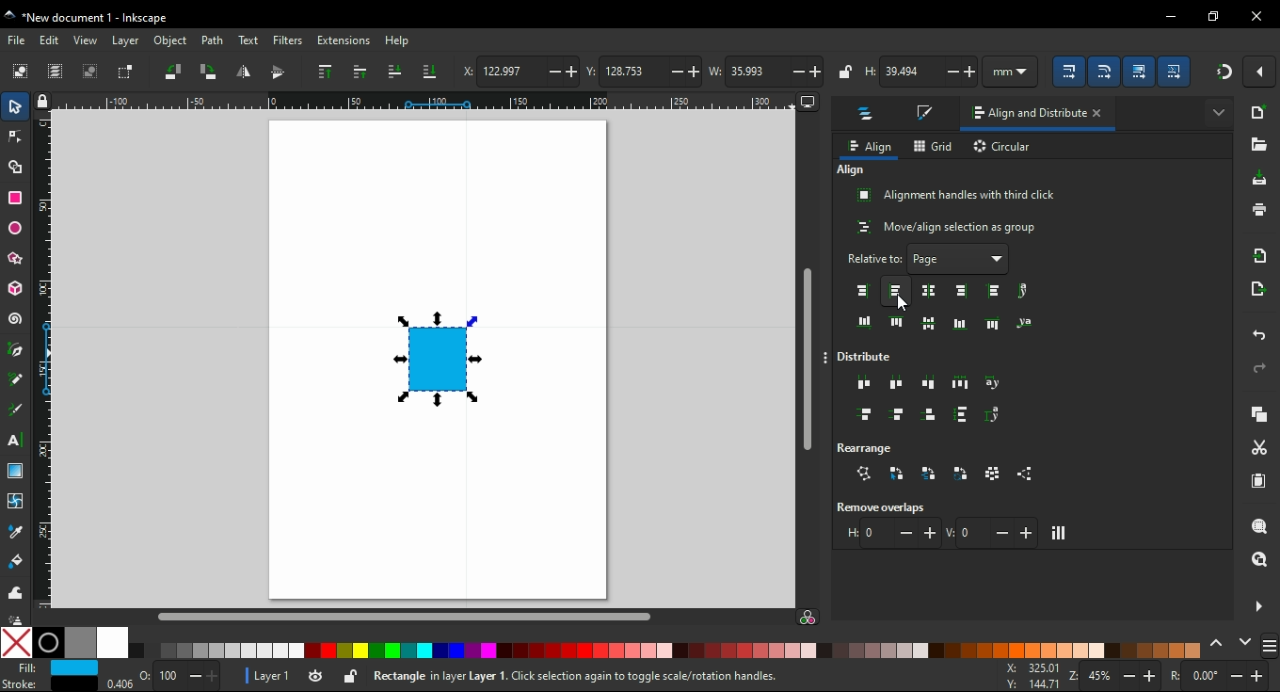 The width and height of the screenshot is (1280, 692). Describe the element at coordinates (814, 620) in the screenshot. I see `color manager` at that location.